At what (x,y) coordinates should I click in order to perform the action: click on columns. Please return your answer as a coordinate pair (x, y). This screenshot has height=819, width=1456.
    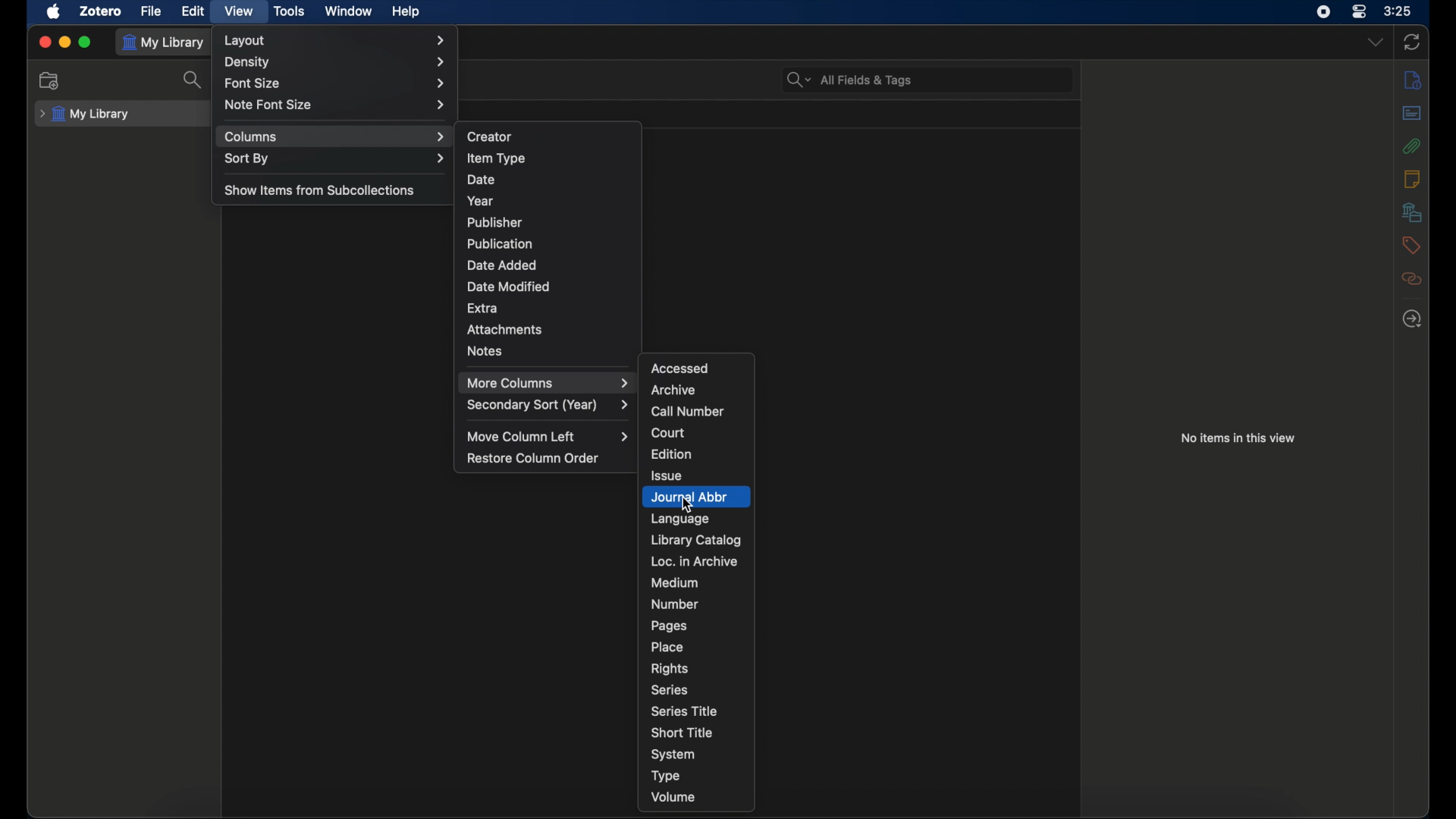
    Looking at the image, I should click on (336, 136).